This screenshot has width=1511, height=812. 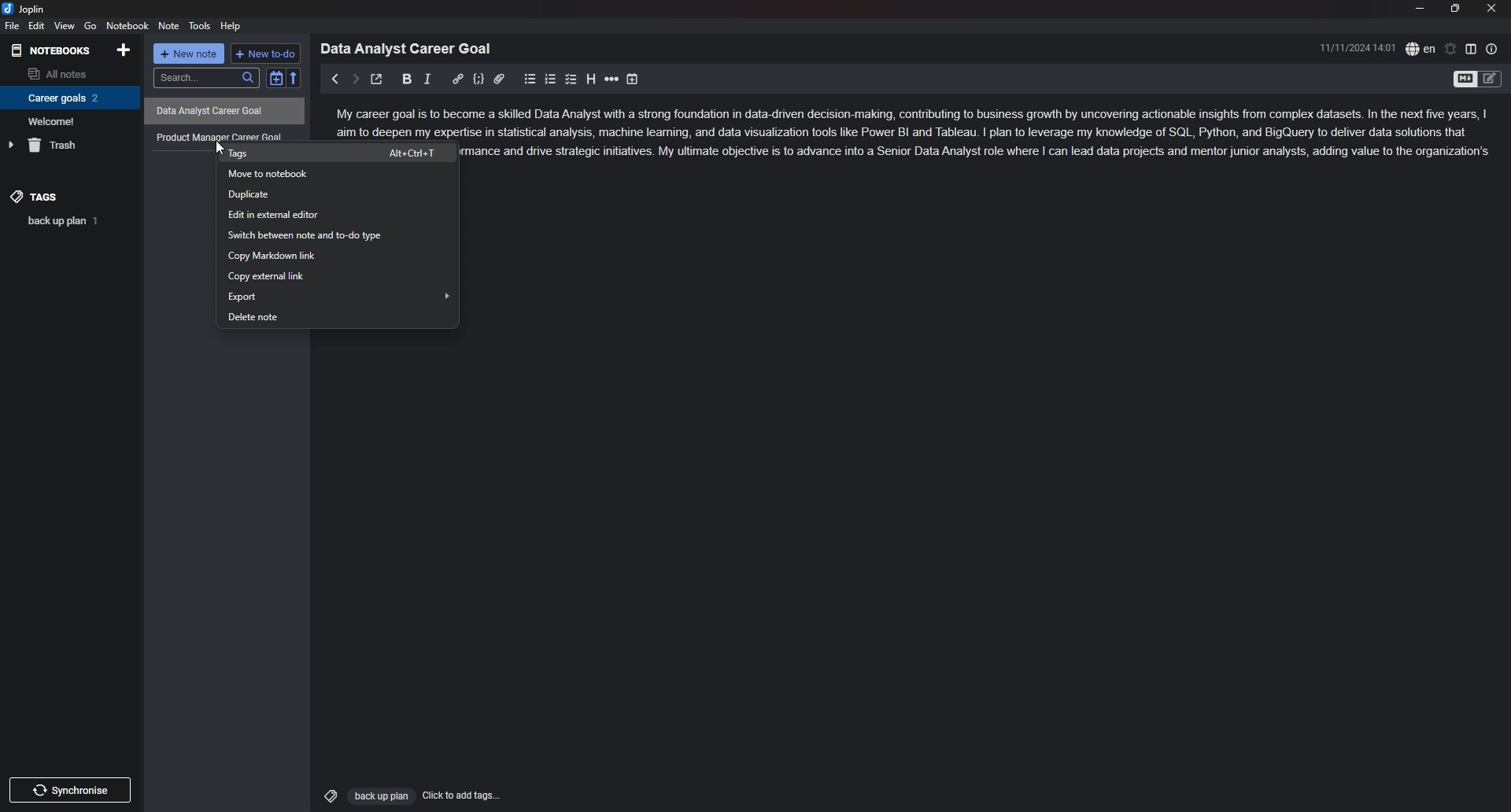 What do you see at coordinates (327, 794) in the screenshot?
I see `Tags` at bounding box center [327, 794].